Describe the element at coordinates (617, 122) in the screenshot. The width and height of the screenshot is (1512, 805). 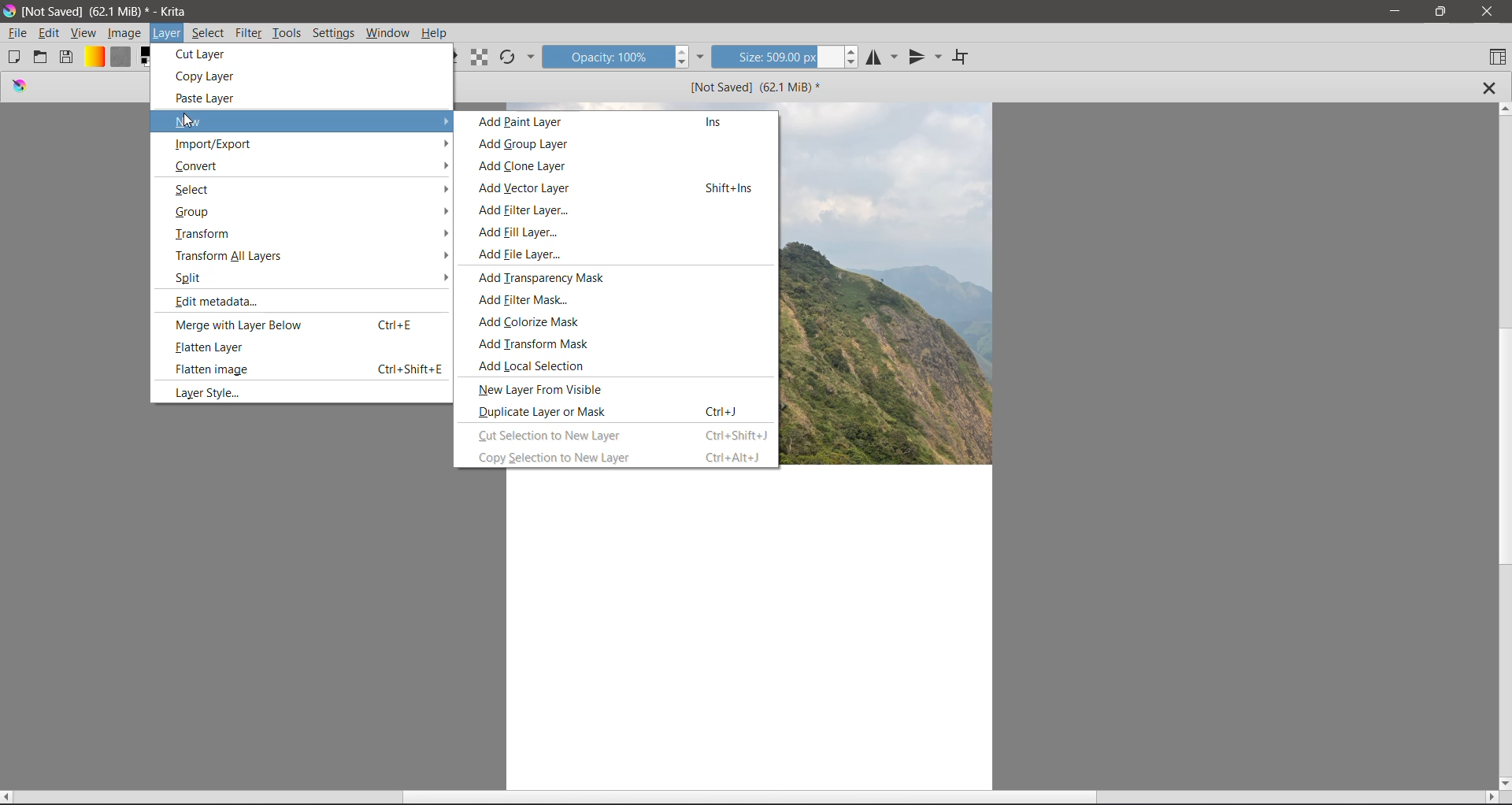
I see `Add Paint Layer` at that location.